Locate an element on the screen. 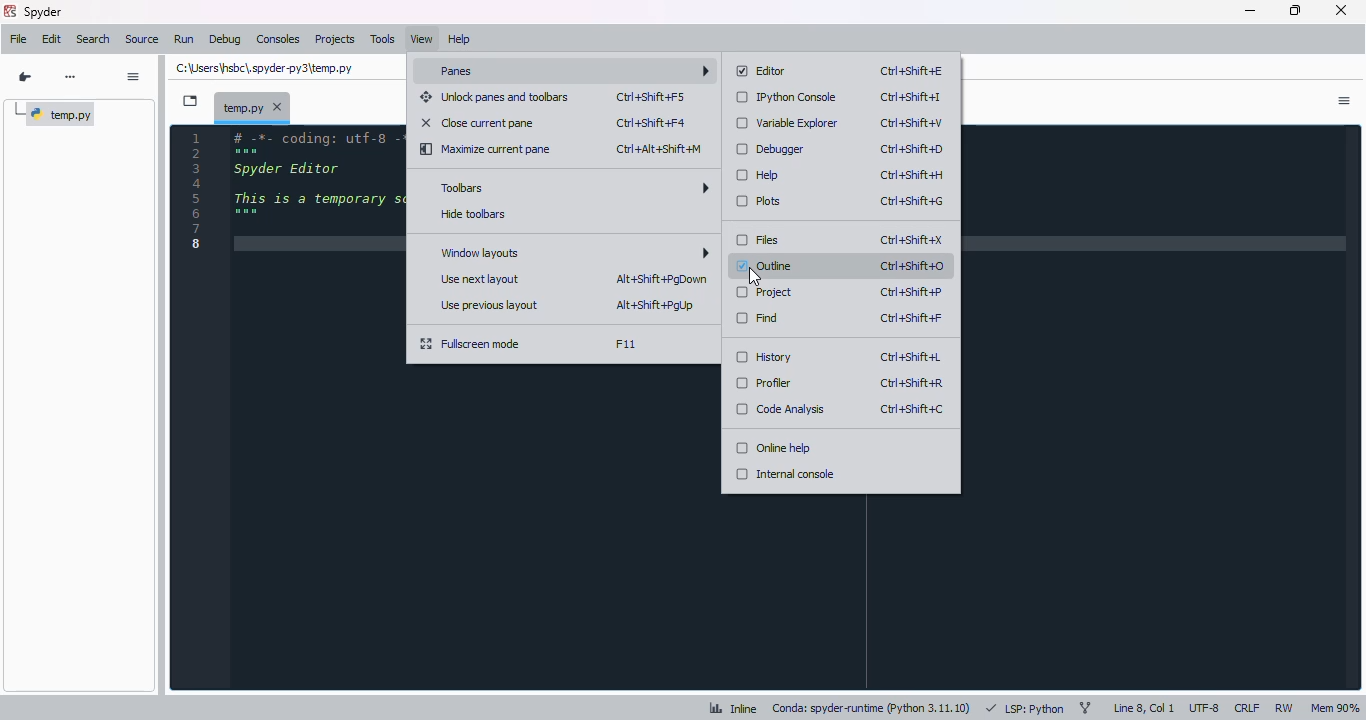 The image size is (1366, 720). shortcut for variable explorer is located at coordinates (911, 122).